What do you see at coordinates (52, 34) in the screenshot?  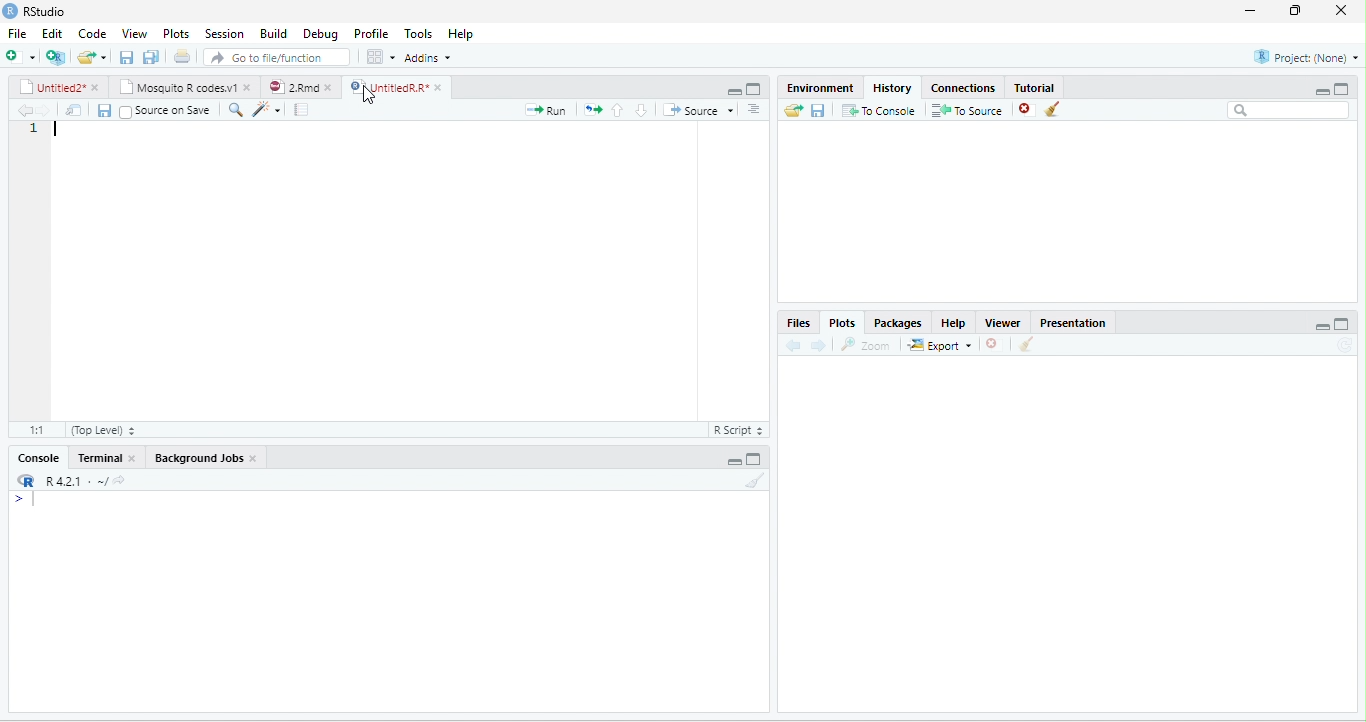 I see `edit` at bounding box center [52, 34].